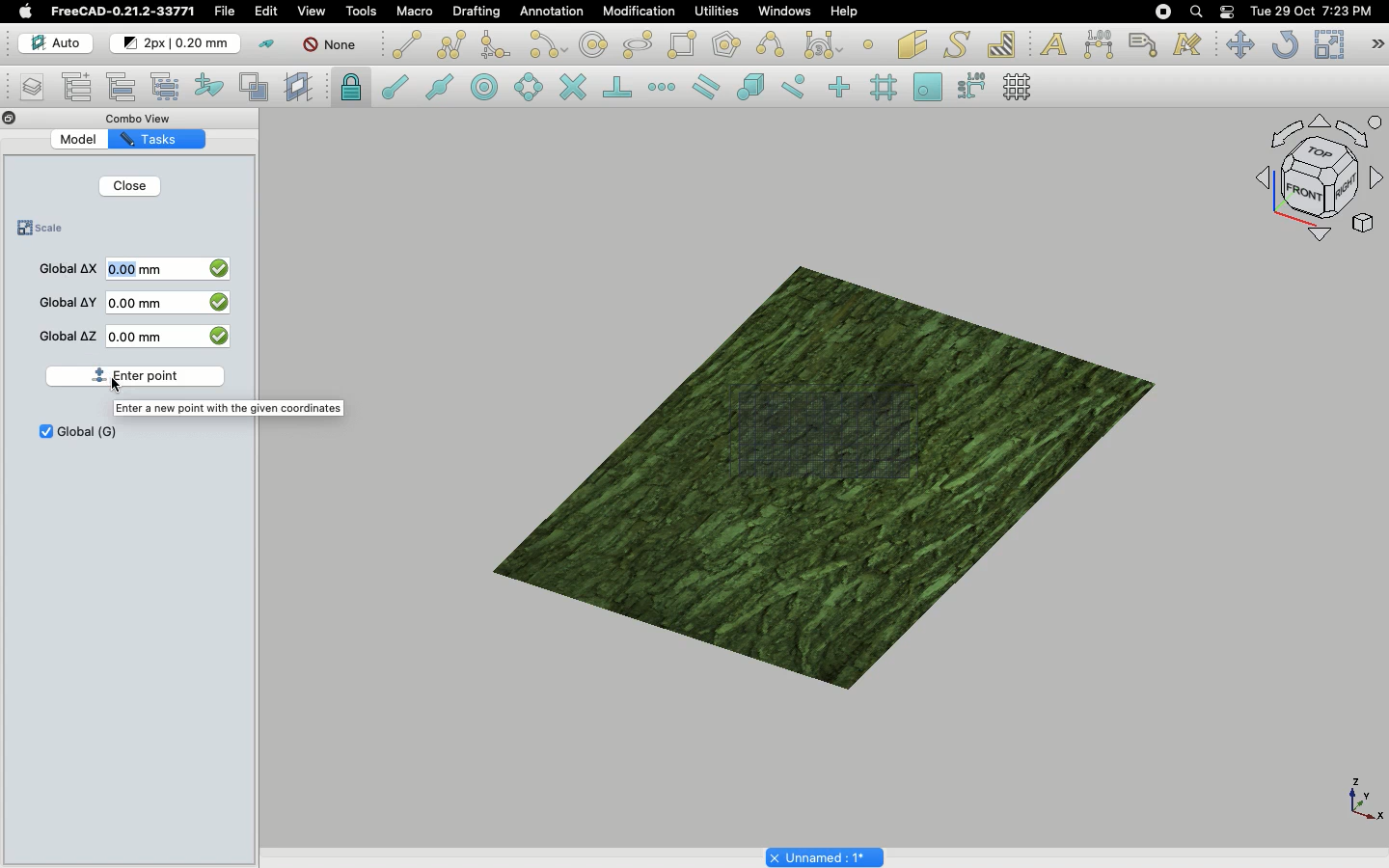 This screenshot has width=1389, height=868. I want to click on Snap grid, so click(885, 87).